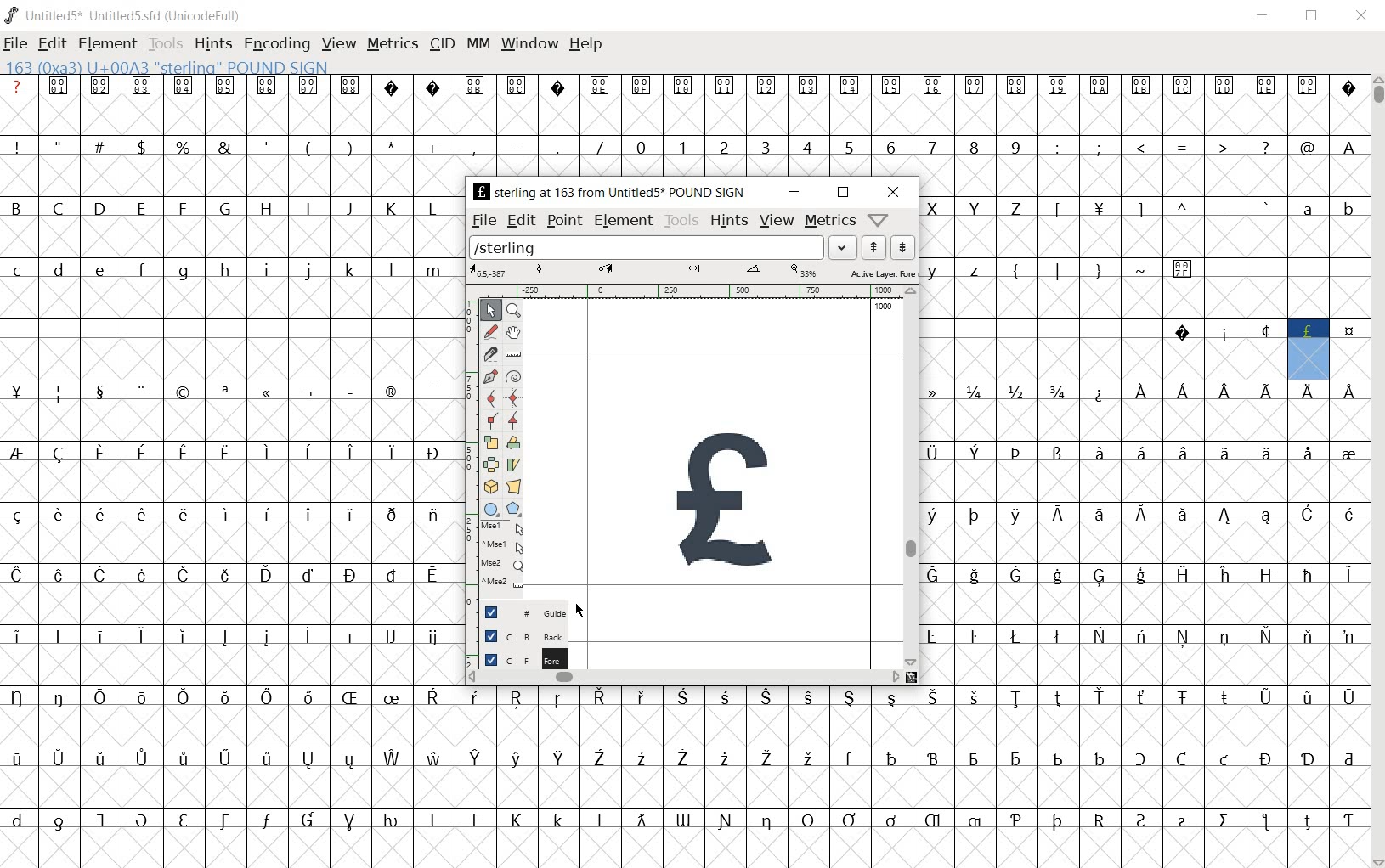 This screenshot has width=1385, height=868. What do you see at coordinates (767, 759) in the screenshot?
I see `Symbol` at bounding box center [767, 759].